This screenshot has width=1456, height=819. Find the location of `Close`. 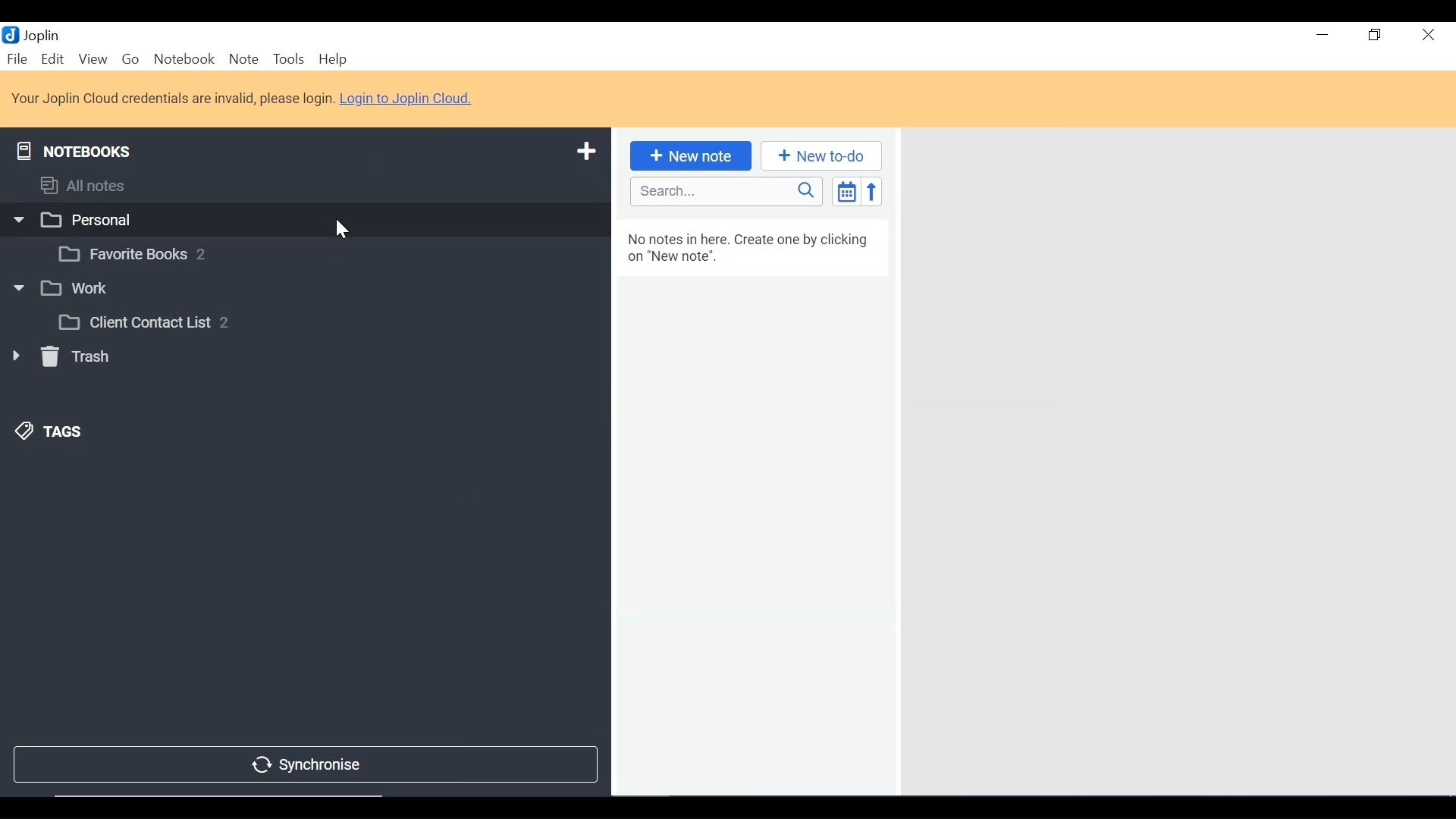

Close is located at coordinates (1426, 37).